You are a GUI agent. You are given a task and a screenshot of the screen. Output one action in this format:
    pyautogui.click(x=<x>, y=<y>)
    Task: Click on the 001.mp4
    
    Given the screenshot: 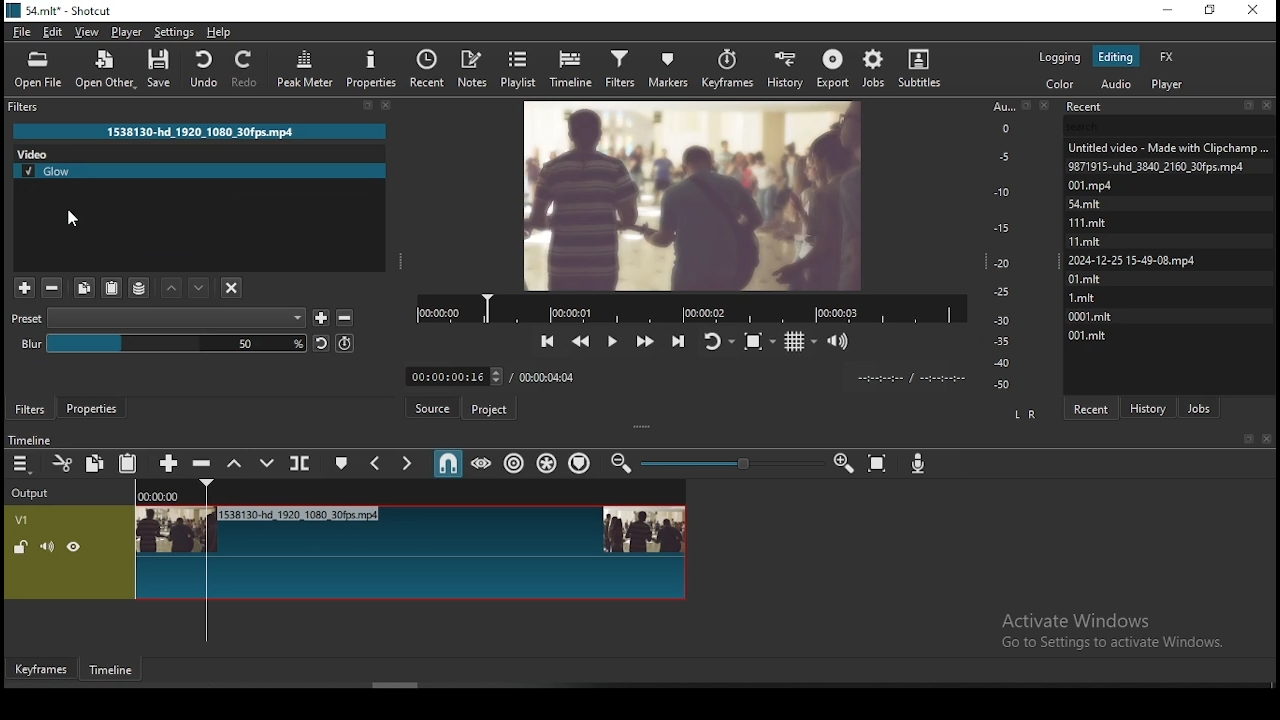 What is the action you would take?
    pyautogui.click(x=1112, y=185)
    